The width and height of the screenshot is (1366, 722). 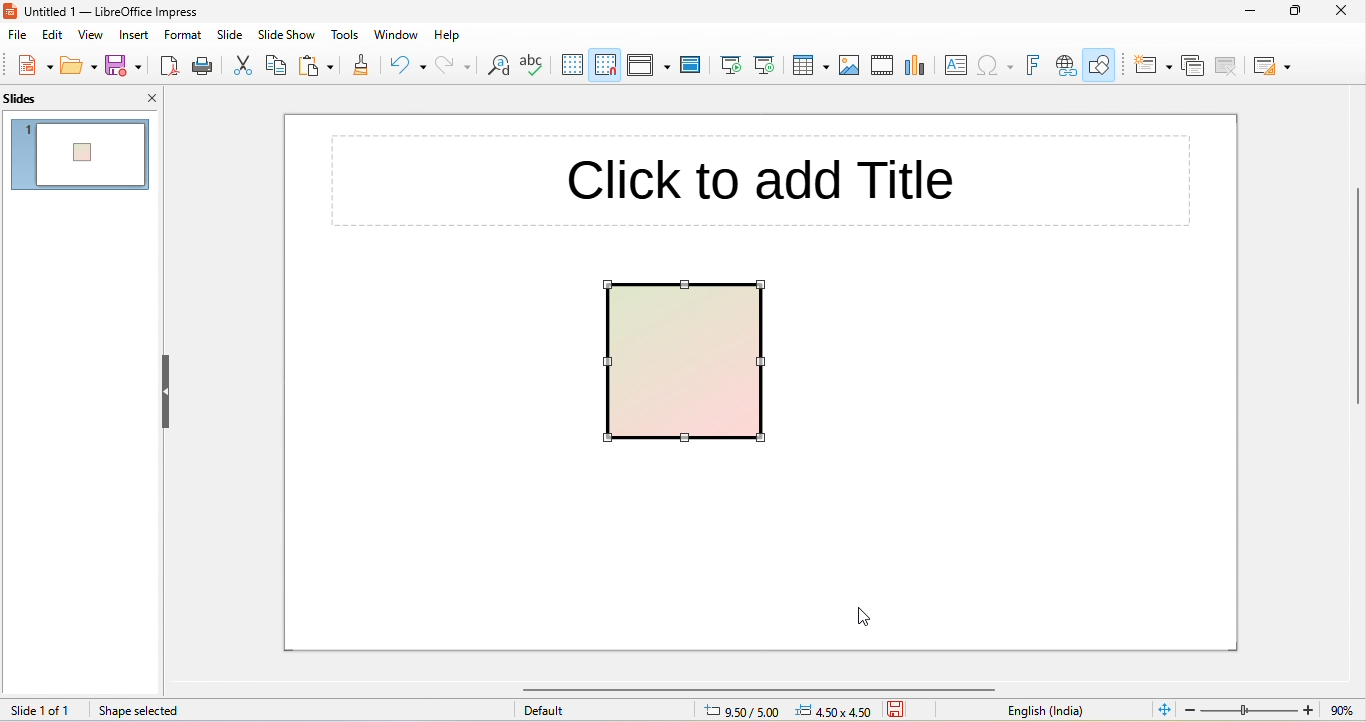 I want to click on spelling, so click(x=534, y=65).